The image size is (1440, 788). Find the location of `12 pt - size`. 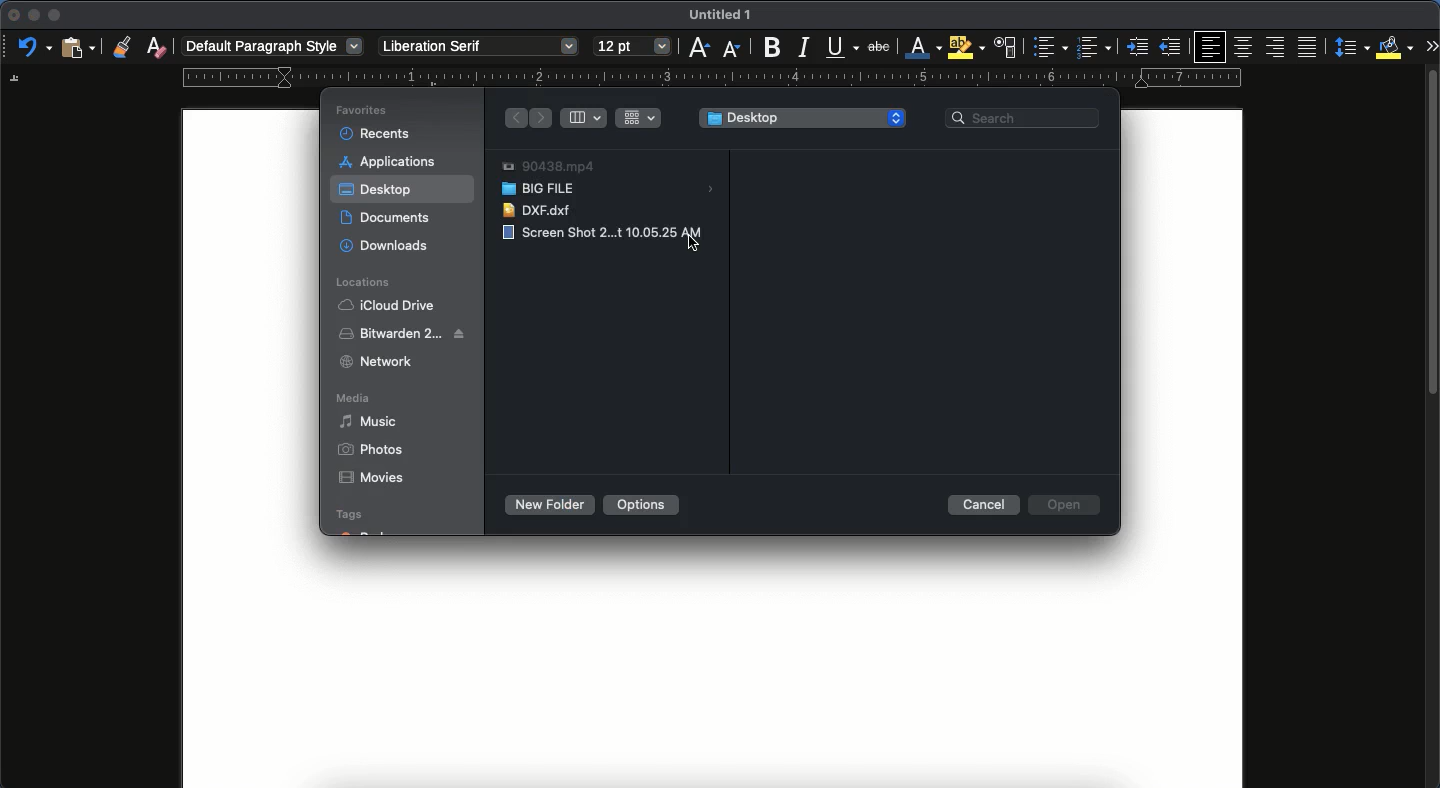

12 pt - size is located at coordinates (631, 47).